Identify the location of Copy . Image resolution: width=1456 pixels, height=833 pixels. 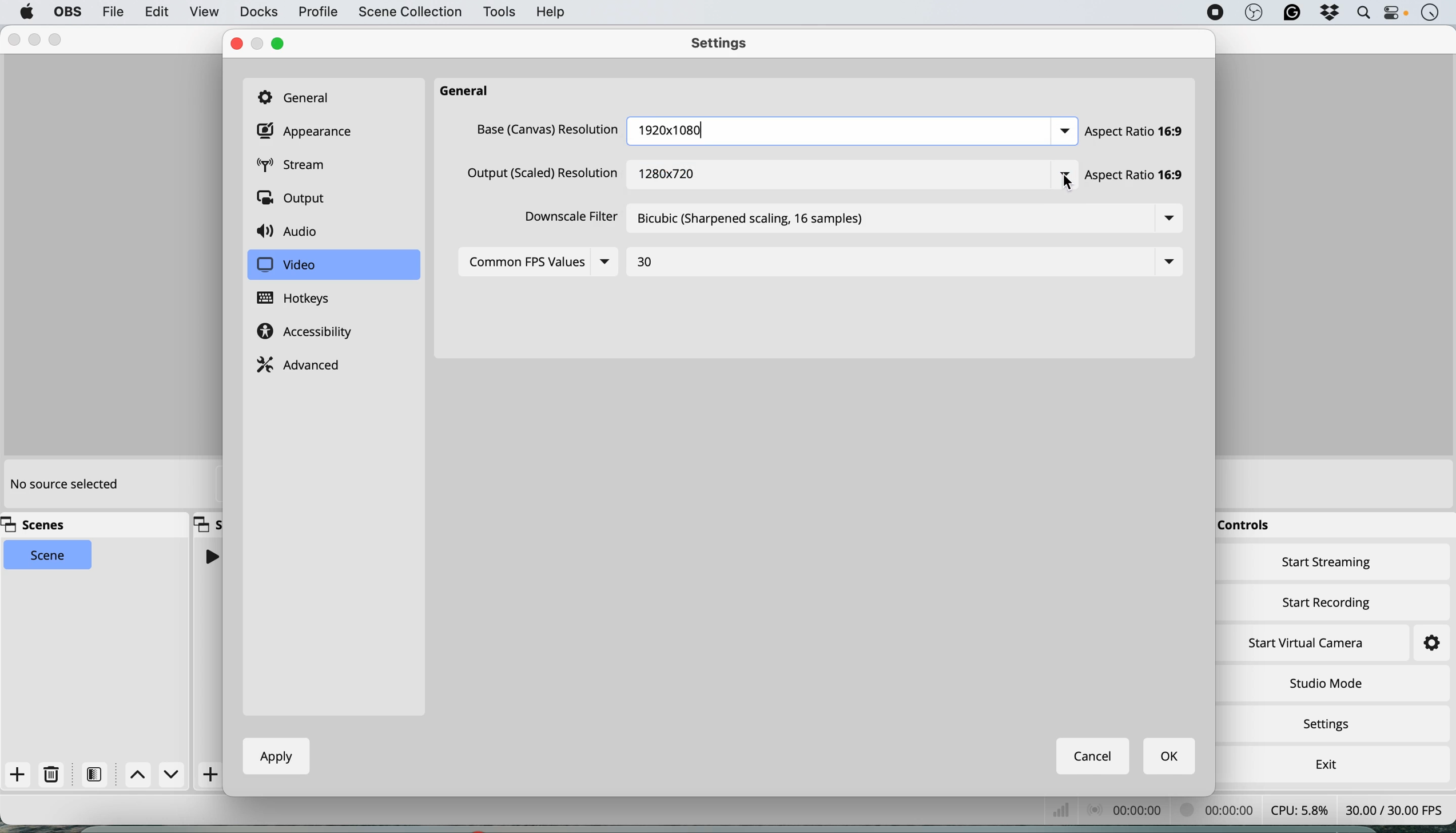
(208, 523).